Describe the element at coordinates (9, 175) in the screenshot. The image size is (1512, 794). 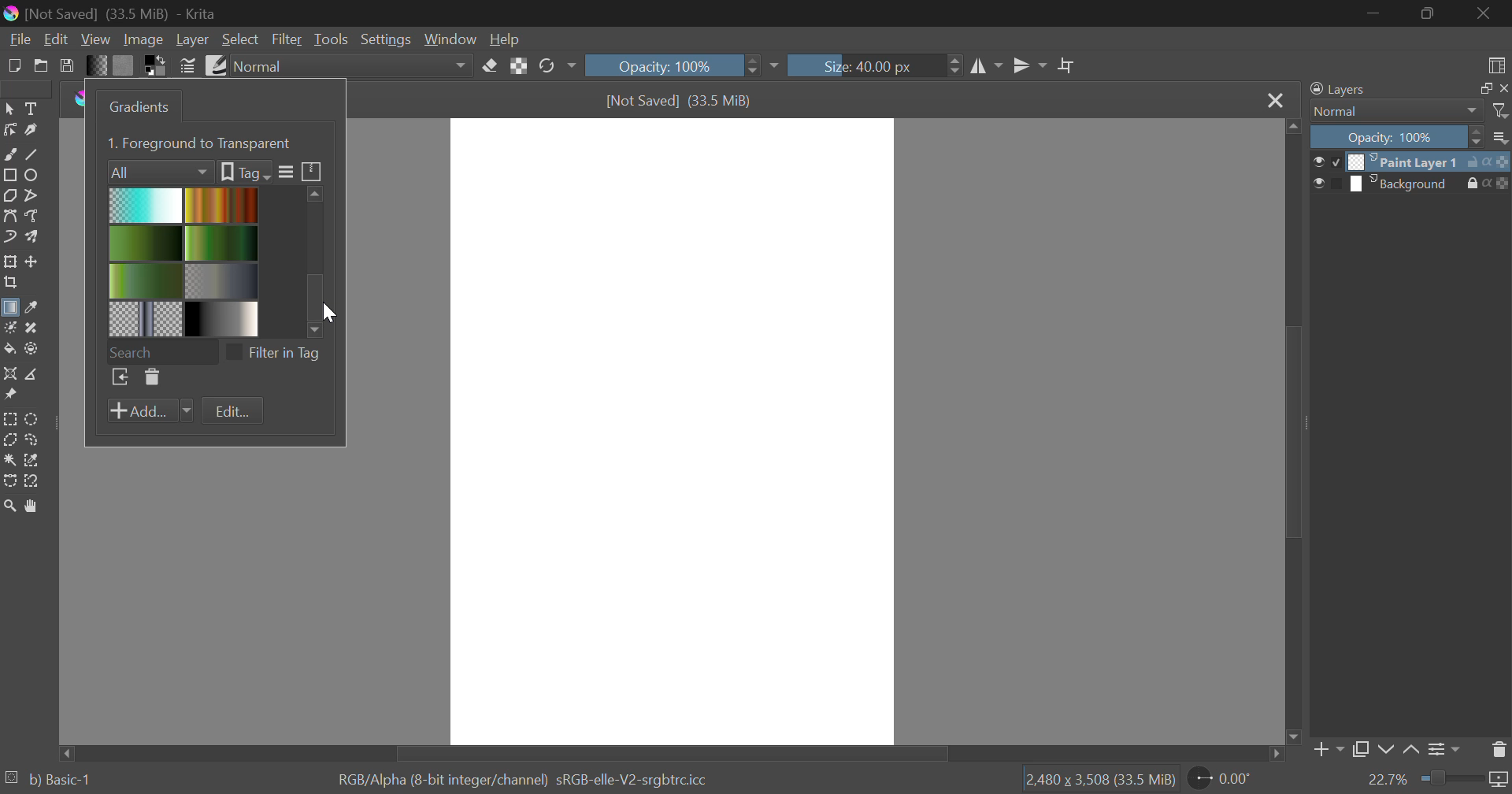
I see `Rectangle` at that location.